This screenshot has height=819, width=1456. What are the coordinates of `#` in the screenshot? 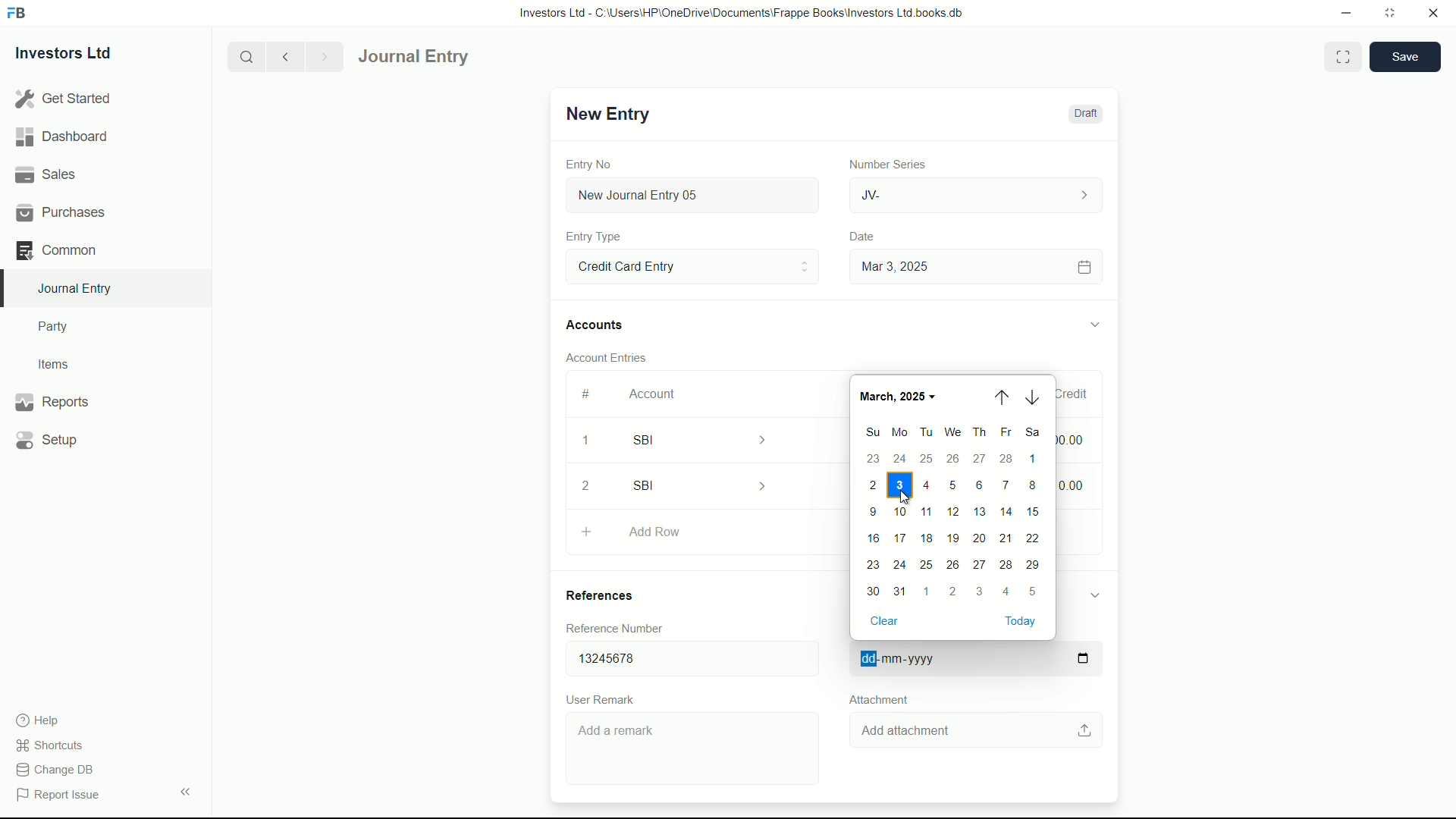 It's located at (587, 394).